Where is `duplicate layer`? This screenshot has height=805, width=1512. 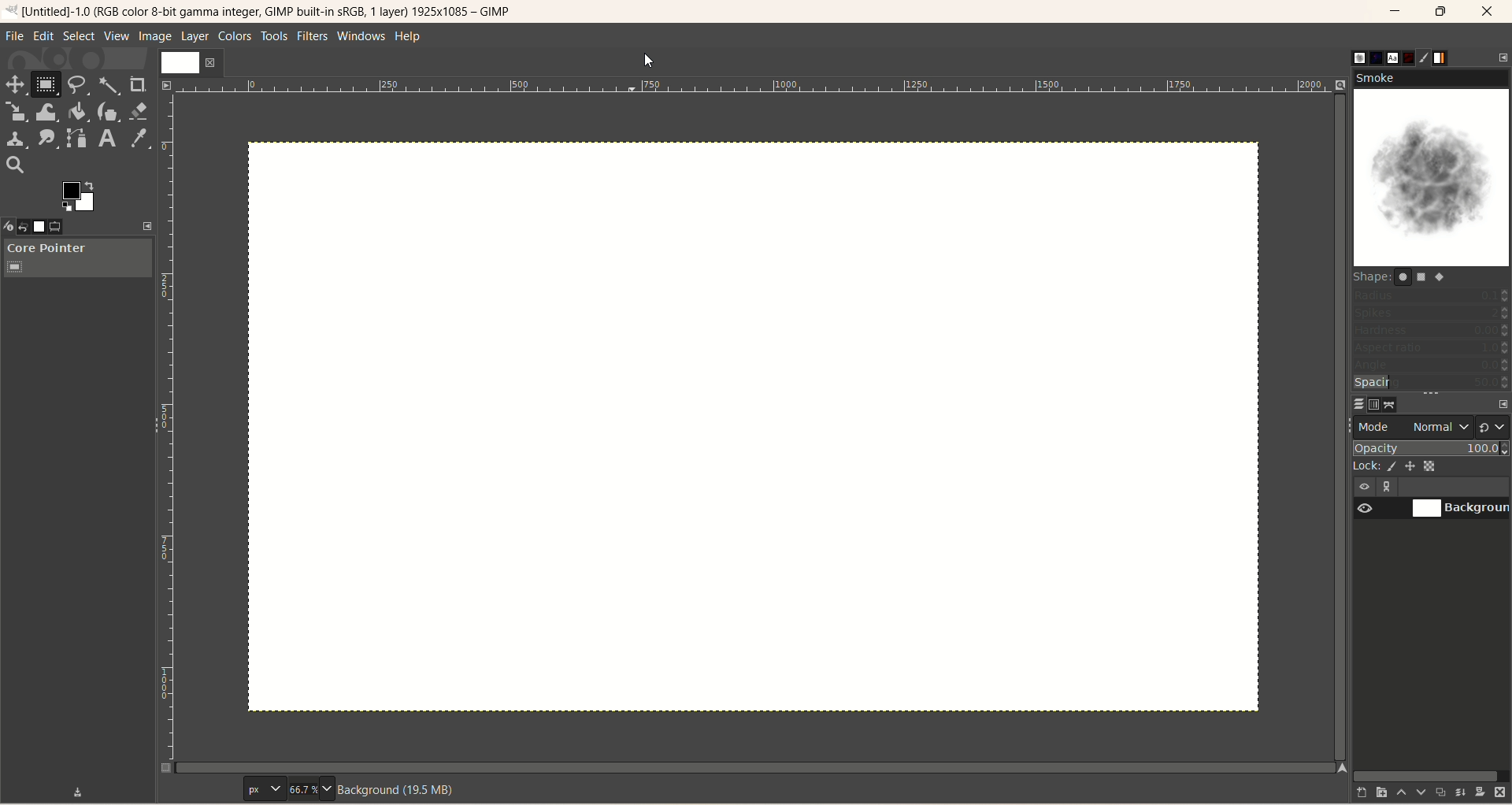
duplicate layer is located at coordinates (1437, 792).